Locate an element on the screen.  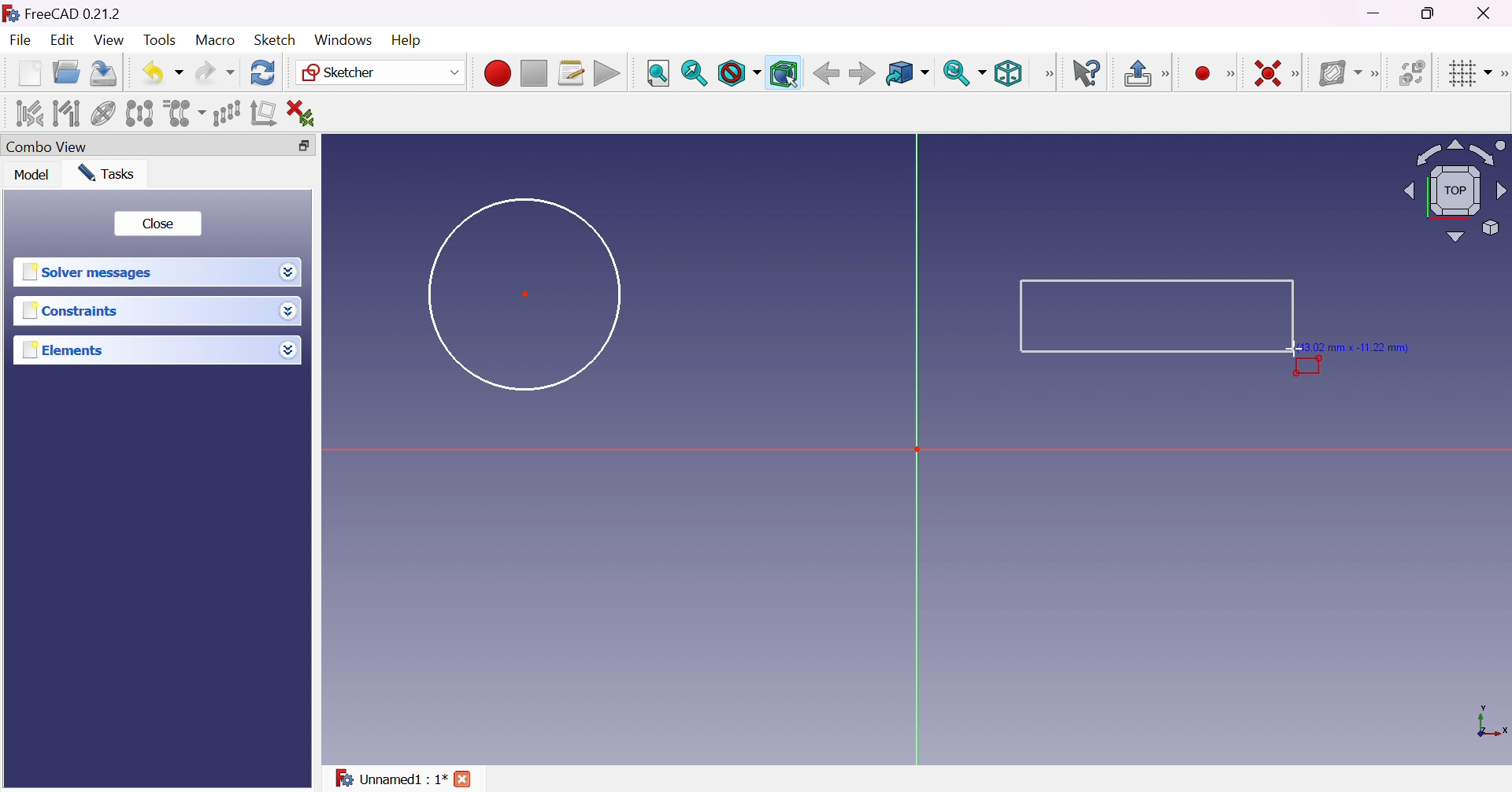
 is located at coordinates (965, 74).